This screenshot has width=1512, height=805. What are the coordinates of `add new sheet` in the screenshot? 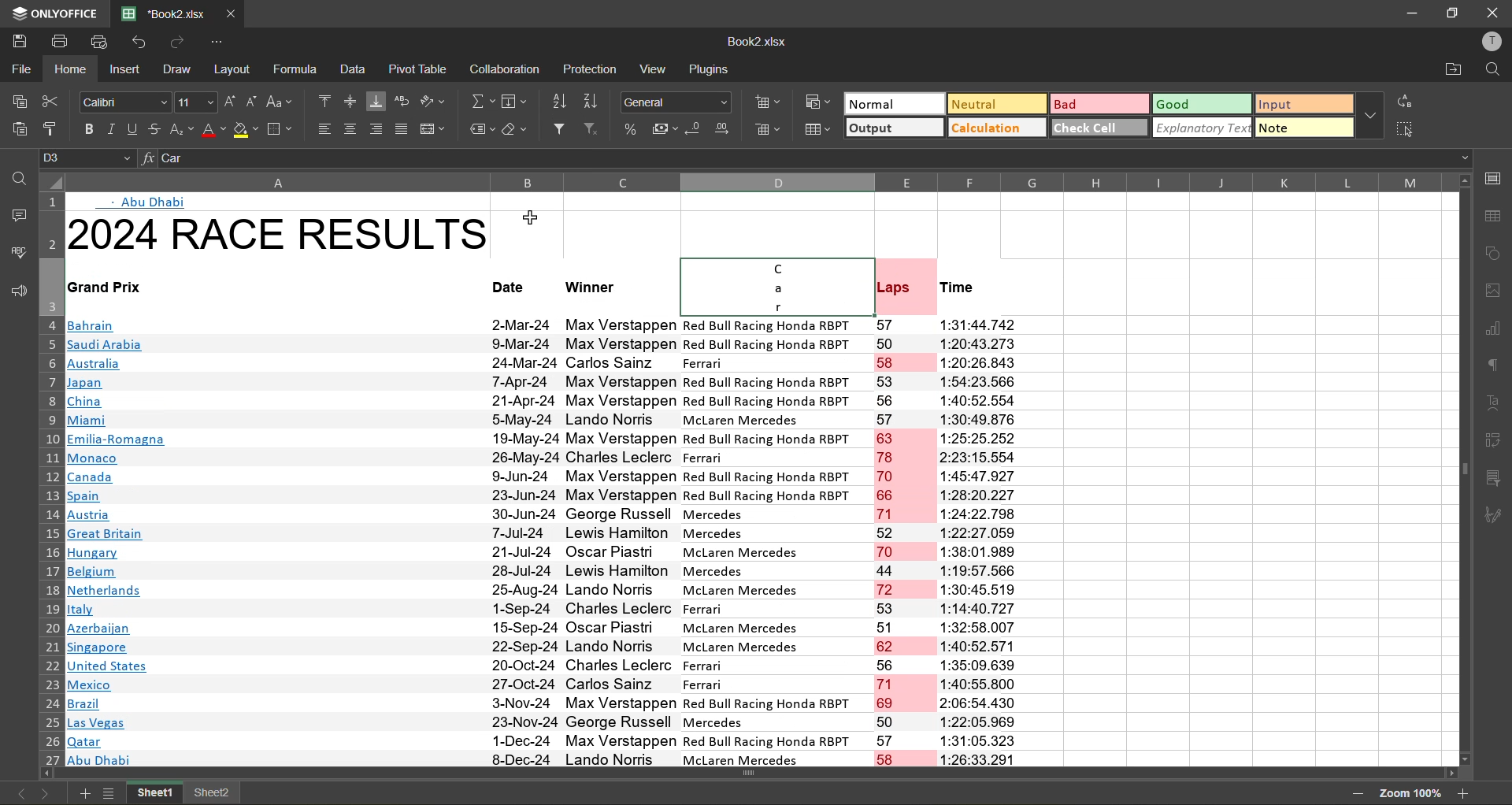 It's located at (82, 793).